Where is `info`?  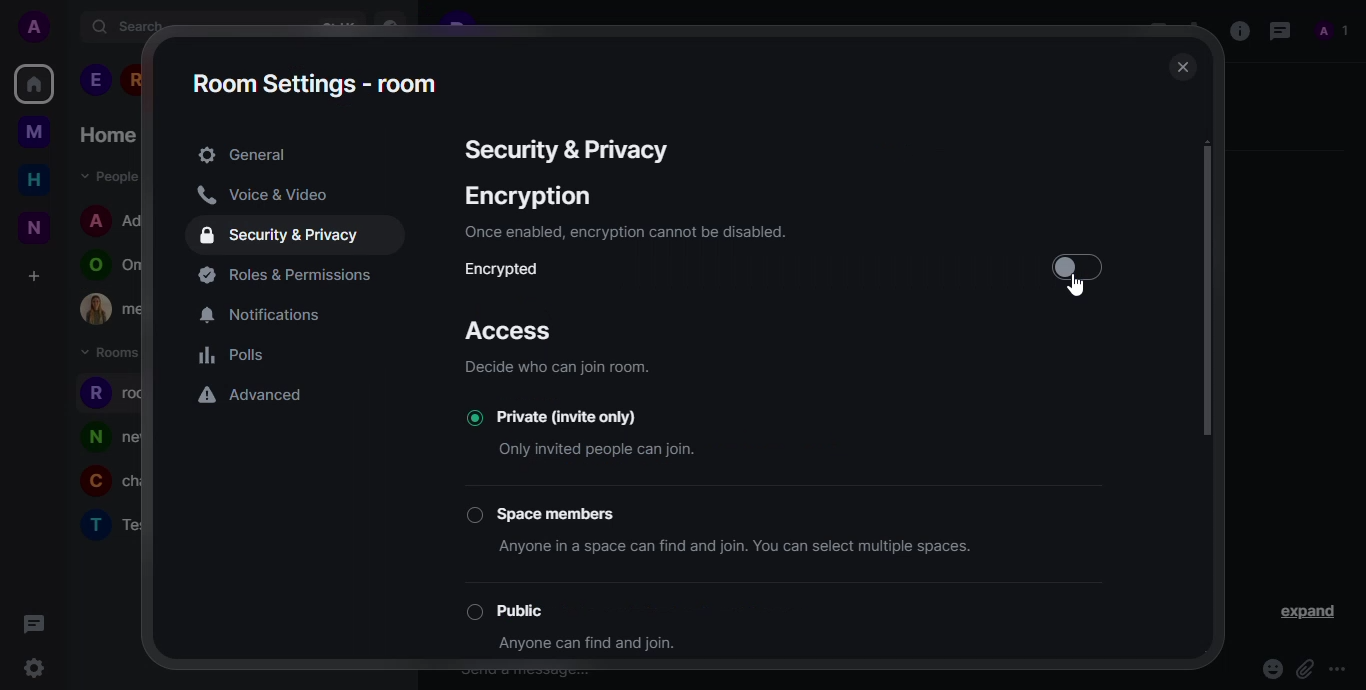
info is located at coordinates (623, 232).